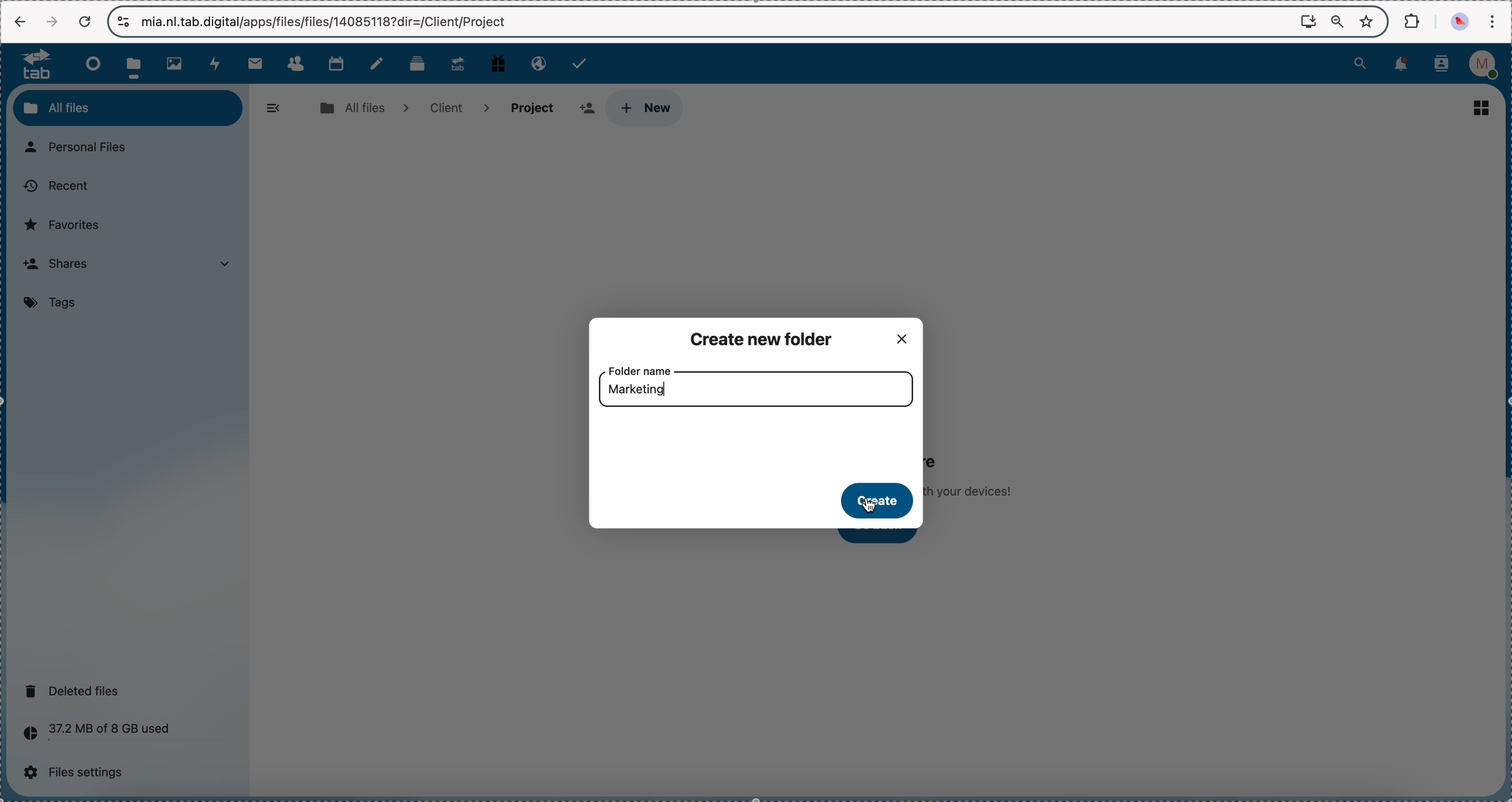 The height and width of the screenshot is (802, 1512). Describe the element at coordinates (650, 109) in the screenshot. I see `click on new button` at that location.